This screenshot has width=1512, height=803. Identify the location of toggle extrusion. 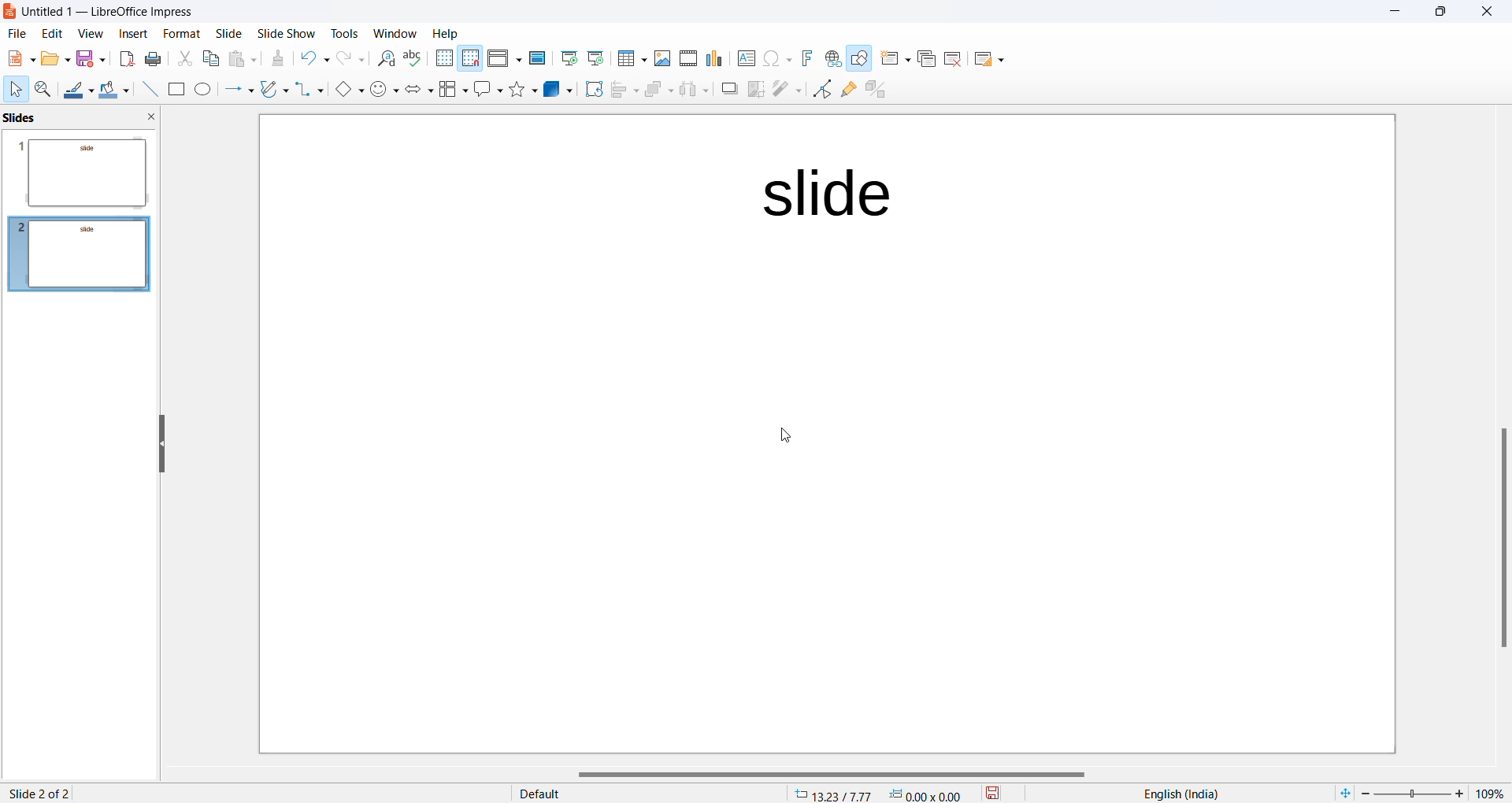
(876, 89).